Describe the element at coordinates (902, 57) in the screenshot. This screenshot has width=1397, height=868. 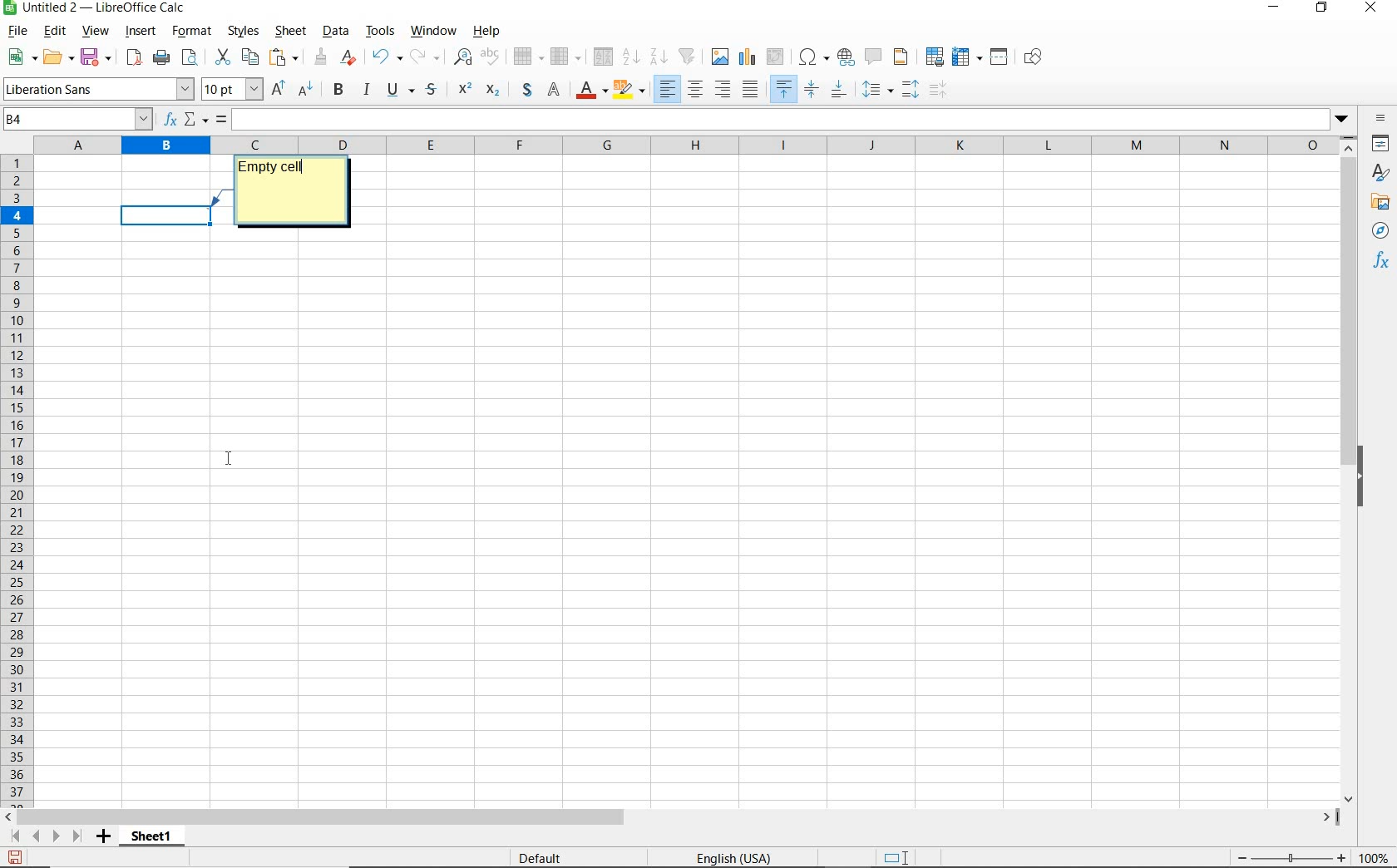
I see `headers and footers` at that location.